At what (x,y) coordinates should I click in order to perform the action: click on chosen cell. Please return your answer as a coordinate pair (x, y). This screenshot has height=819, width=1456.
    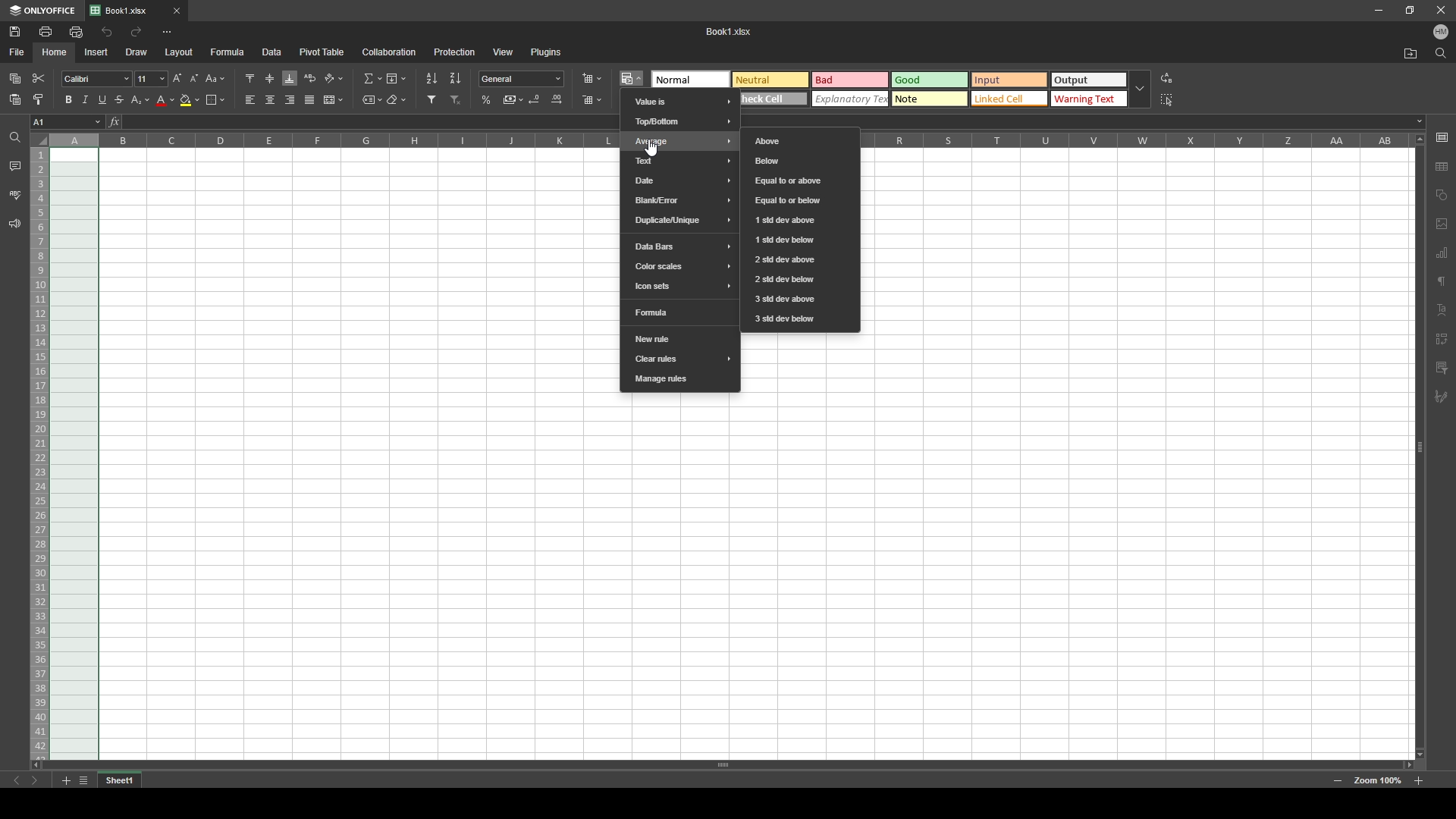
    Looking at the image, I should click on (66, 121).